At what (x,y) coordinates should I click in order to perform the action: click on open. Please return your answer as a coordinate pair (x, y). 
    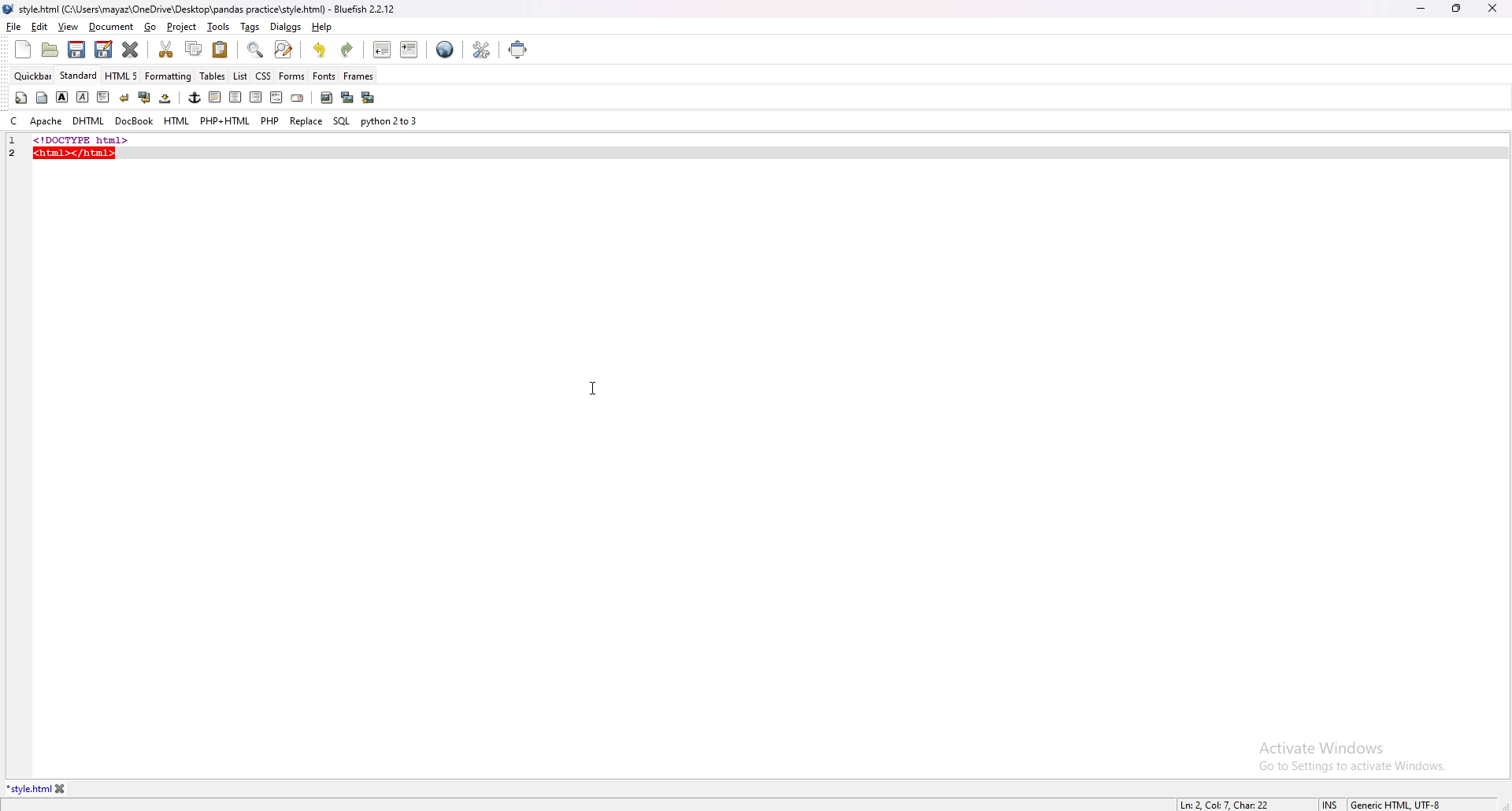
    Looking at the image, I should click on (52, 50).